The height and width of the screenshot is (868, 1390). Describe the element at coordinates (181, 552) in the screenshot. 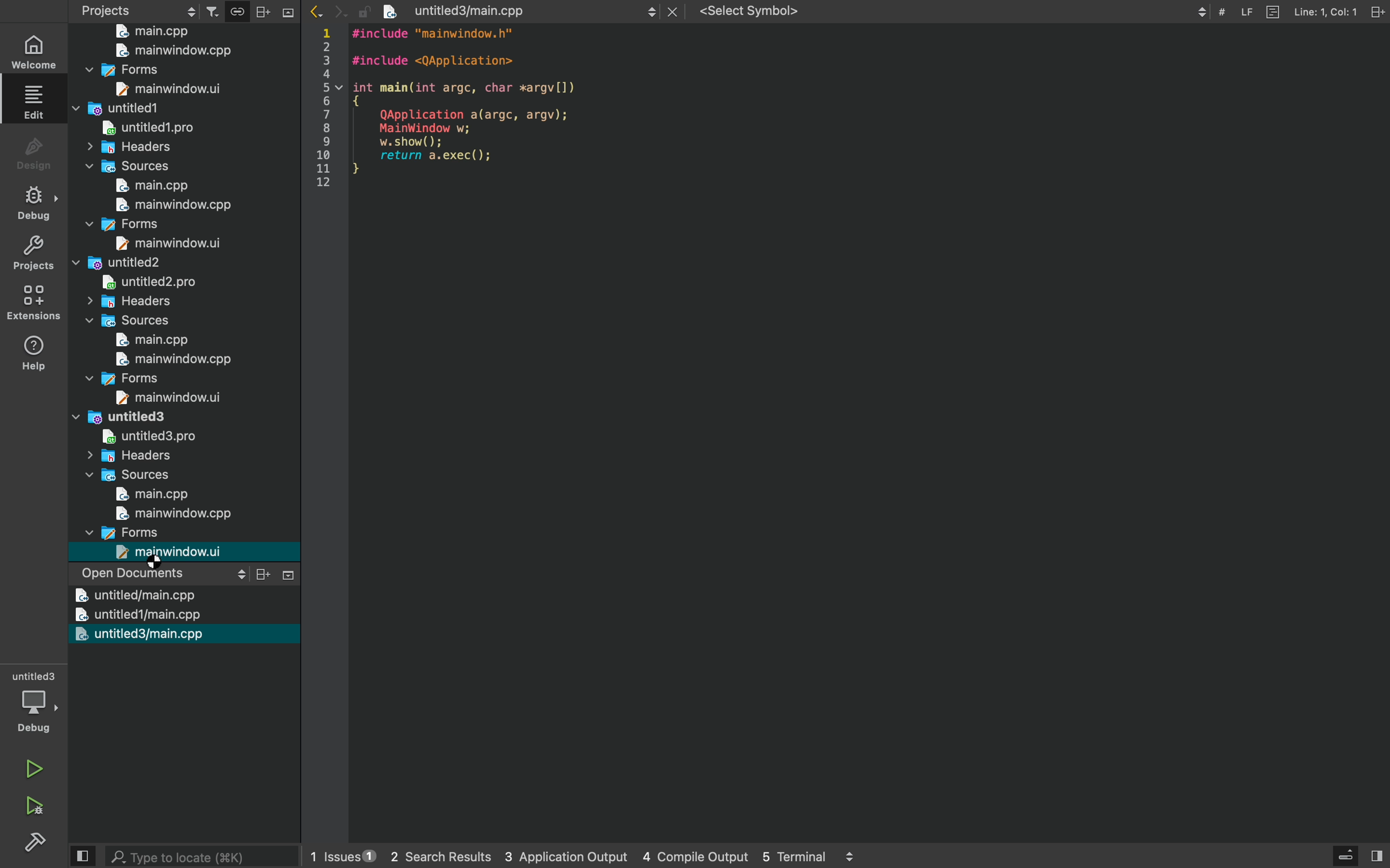

I see `Forms` at that location.